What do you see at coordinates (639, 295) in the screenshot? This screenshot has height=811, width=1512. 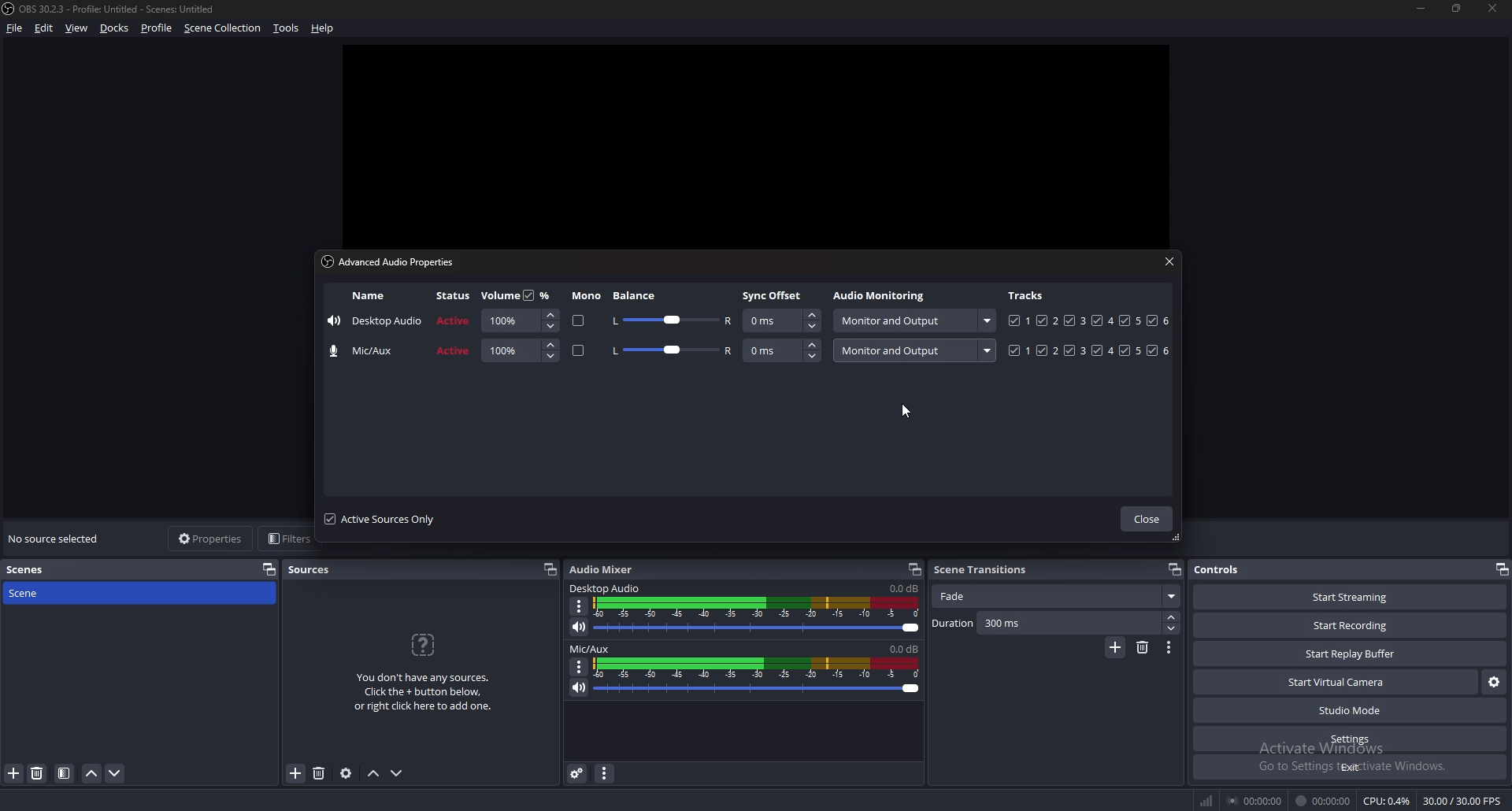 I see `balance` at bounding box center [639, 295].